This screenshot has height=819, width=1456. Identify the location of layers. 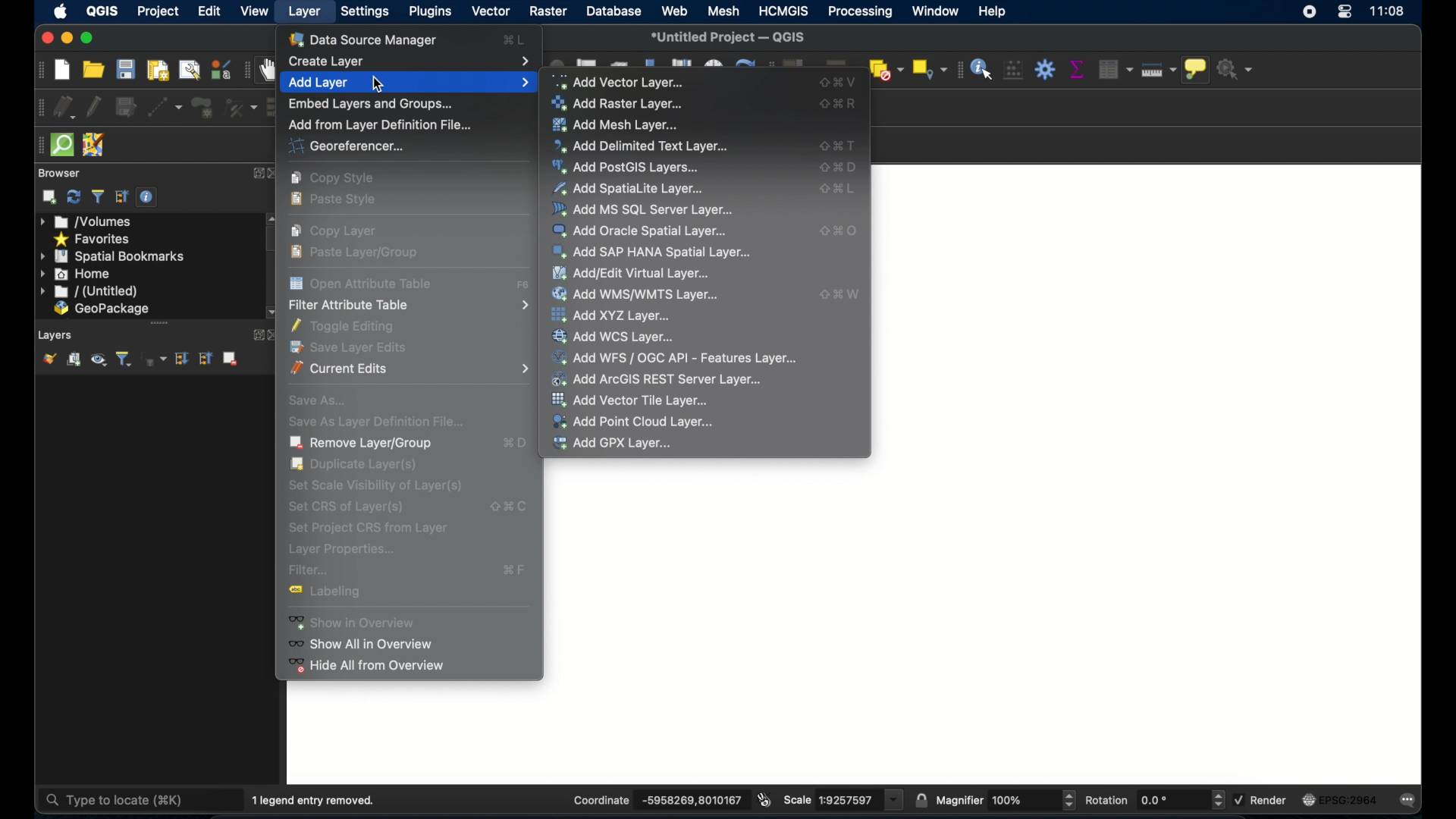
(56, 334).